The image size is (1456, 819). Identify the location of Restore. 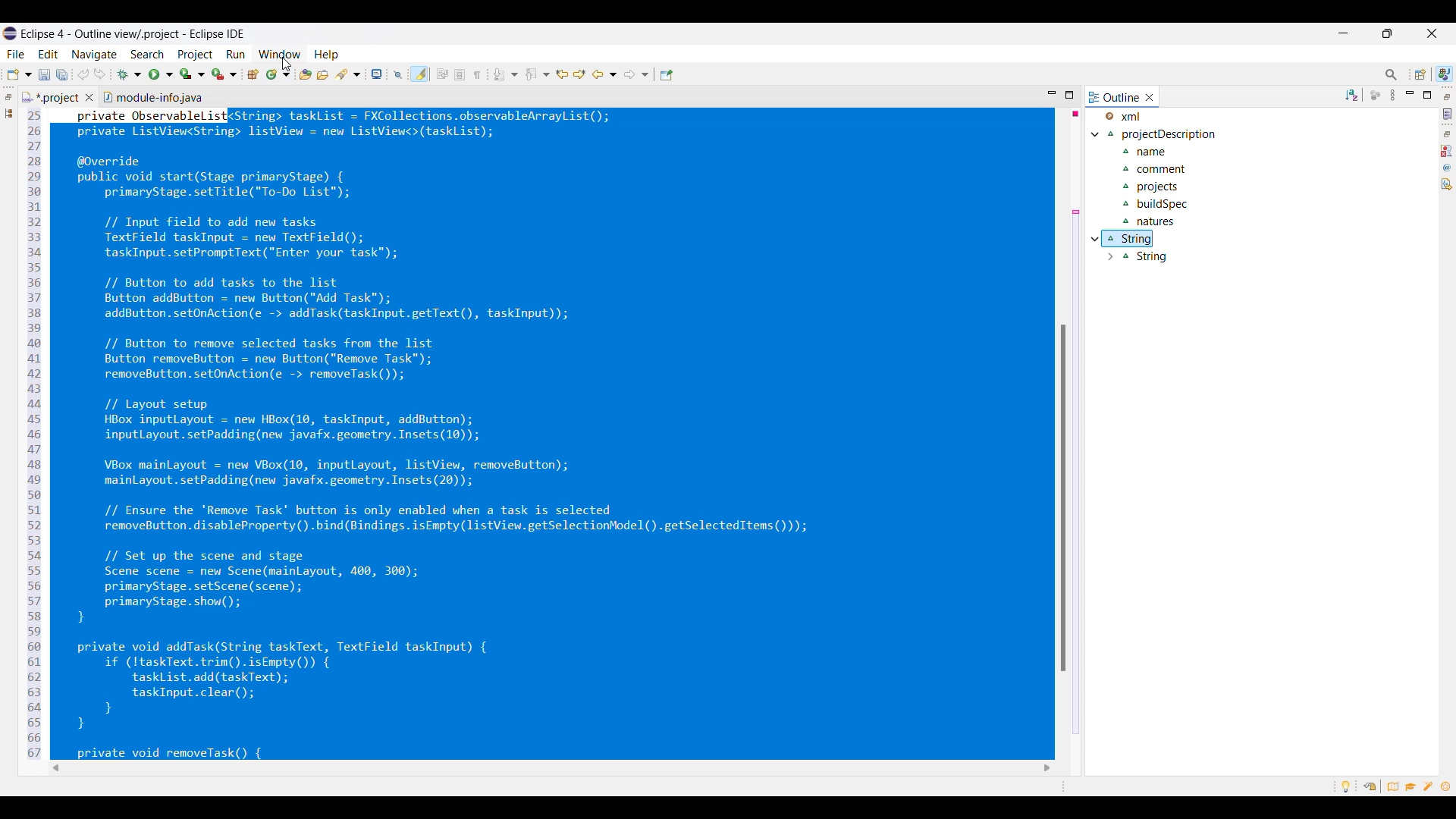
(1447, 134).